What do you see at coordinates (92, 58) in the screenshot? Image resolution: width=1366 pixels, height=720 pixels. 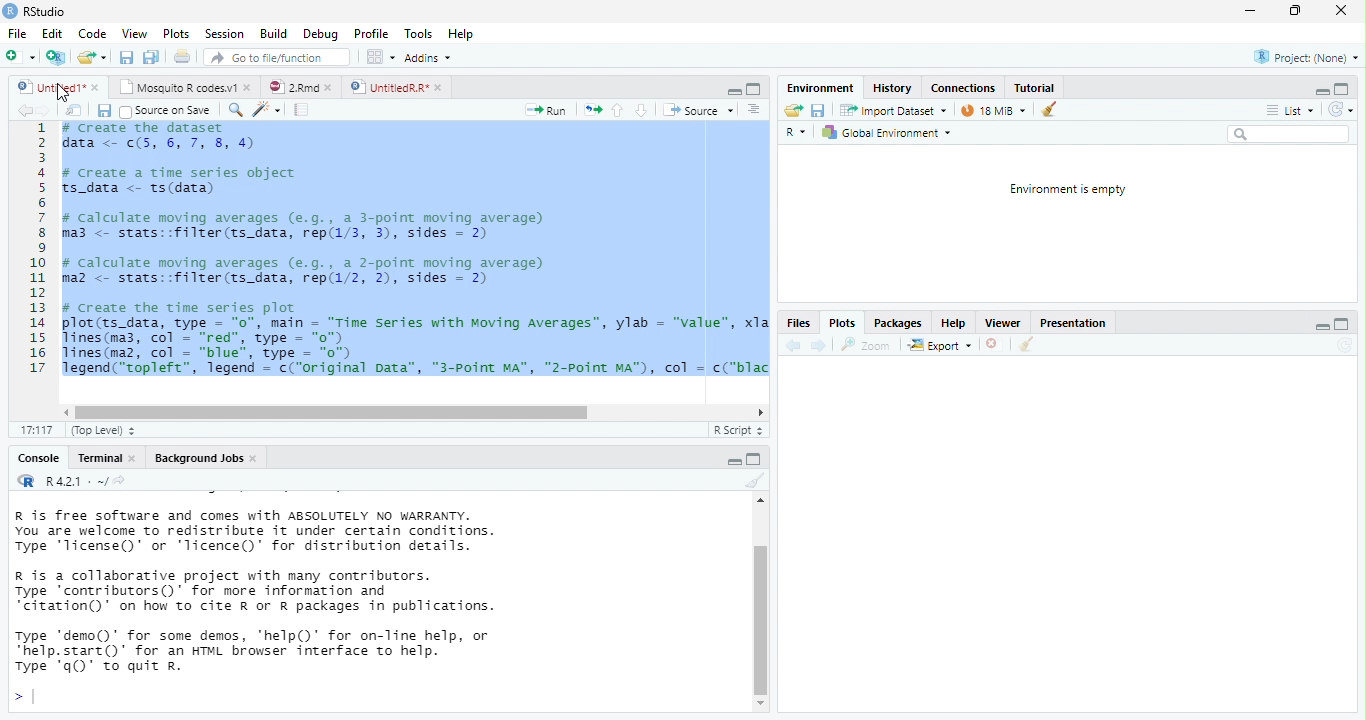 I see `open an existing file` at bounding box center [92, 58].